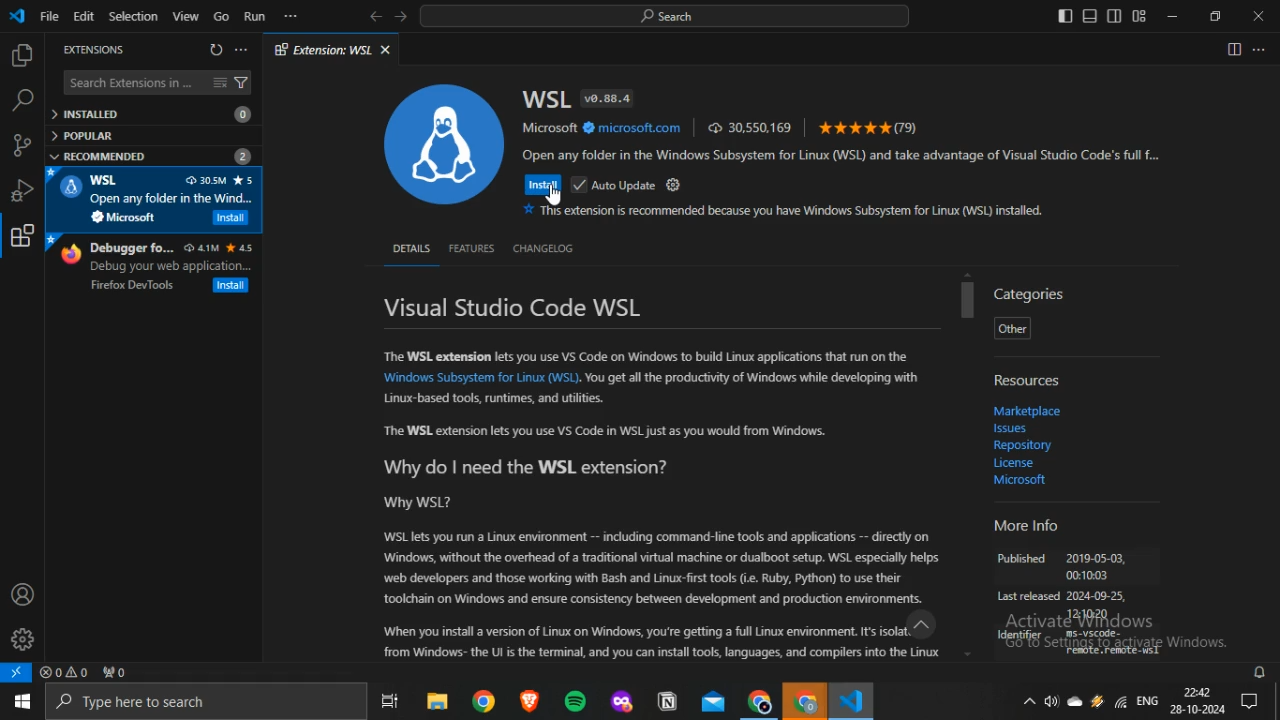  Describe the element at coordinates (185, 16) in the screenshot. I see `View` at that location.